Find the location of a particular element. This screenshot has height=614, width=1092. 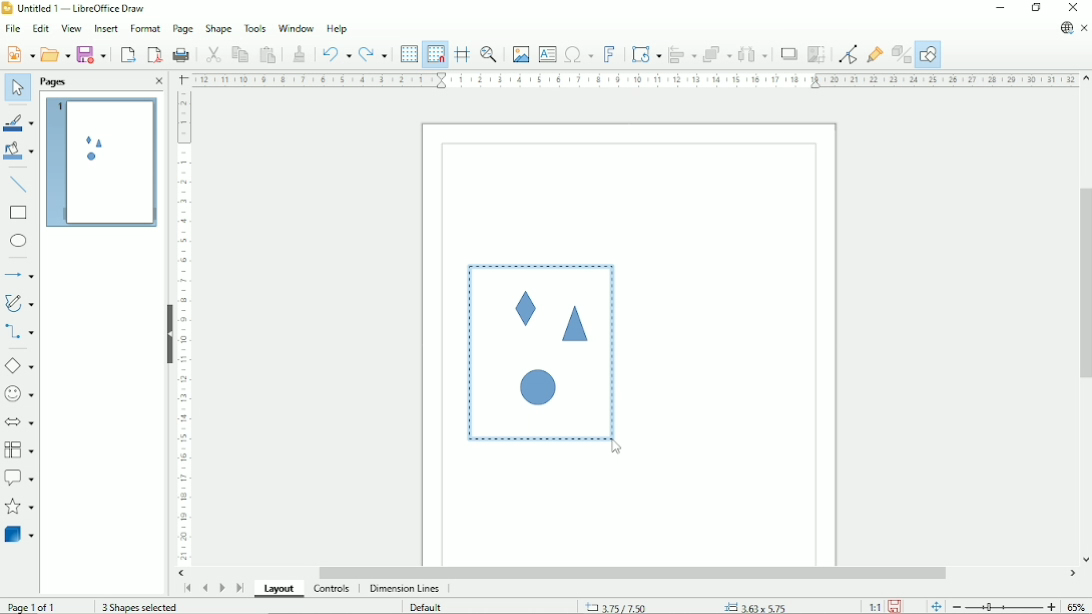

Update available is located at coordinates (1066, 28).